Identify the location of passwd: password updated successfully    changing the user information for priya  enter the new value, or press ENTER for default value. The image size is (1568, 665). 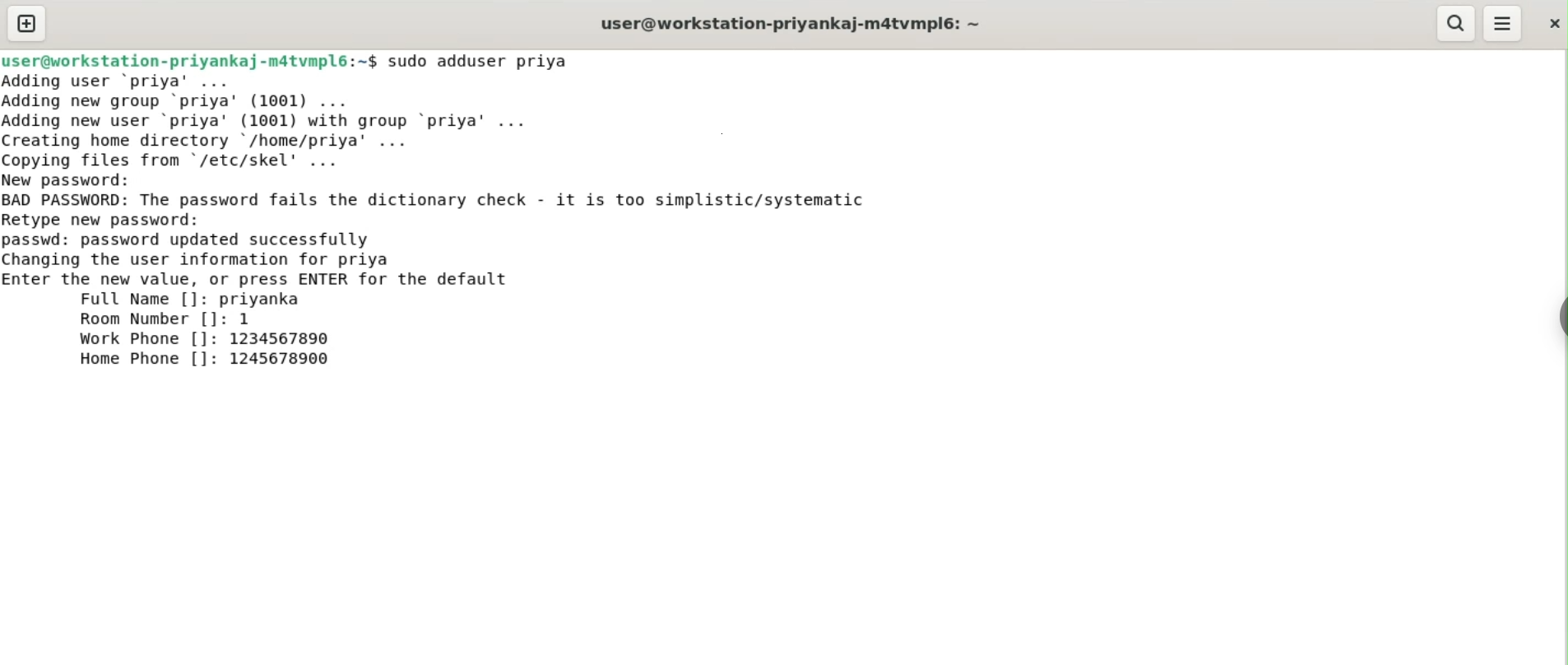
(295, 257).